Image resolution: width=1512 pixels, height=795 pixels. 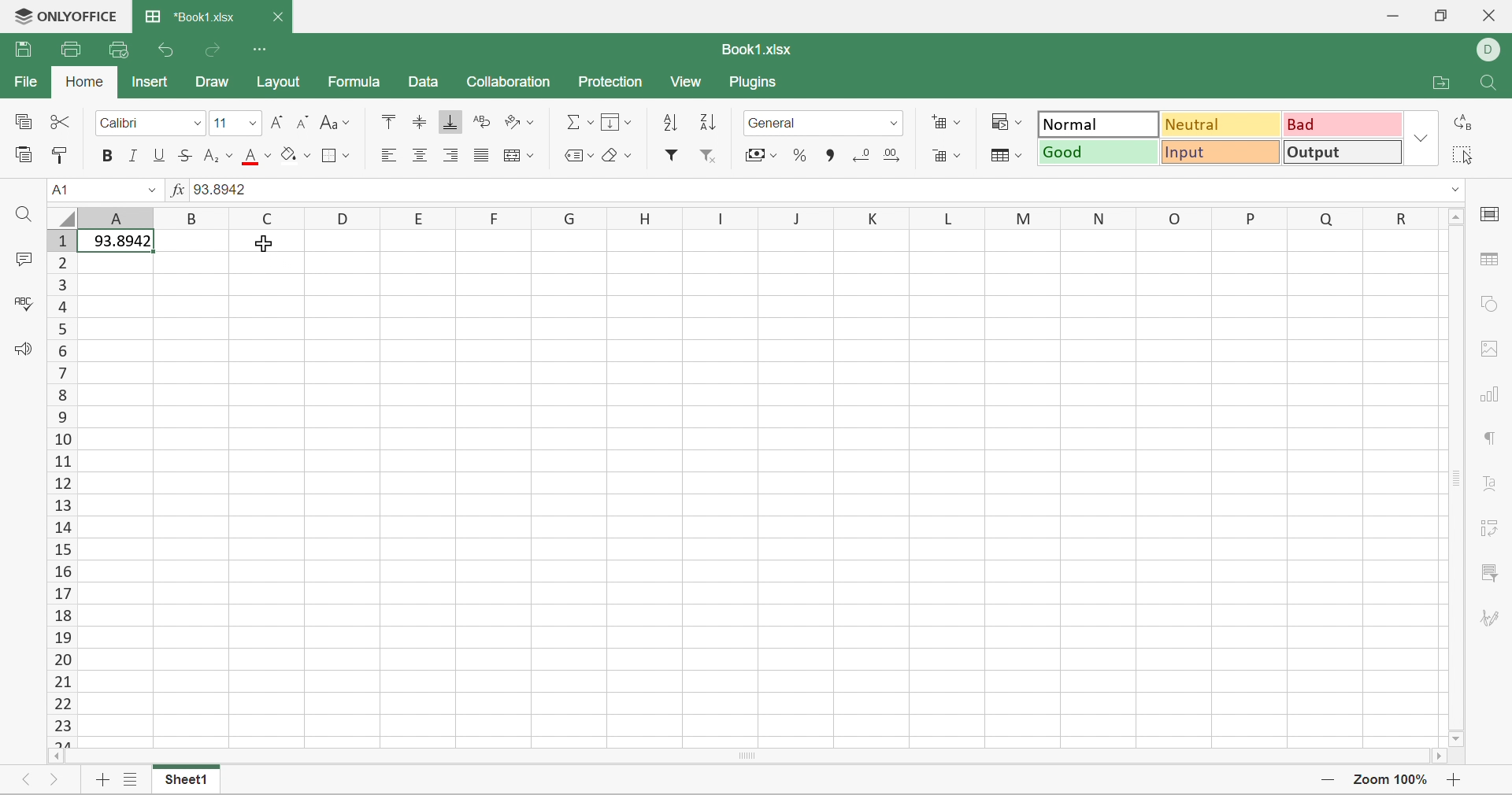 I want to click on Customize Quick Access Toolbar, so click(x=262, y=48).